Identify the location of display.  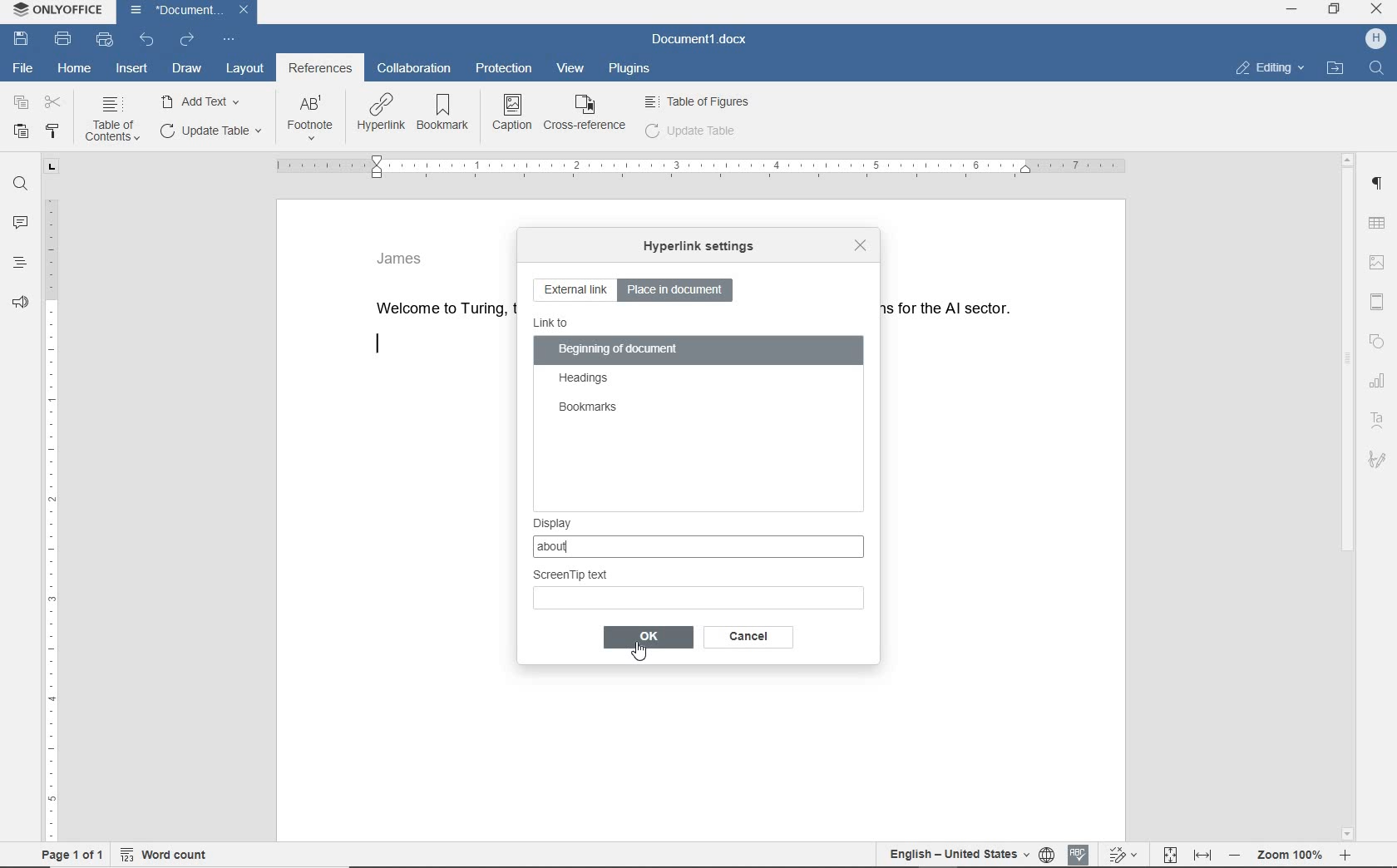
(701, 518).